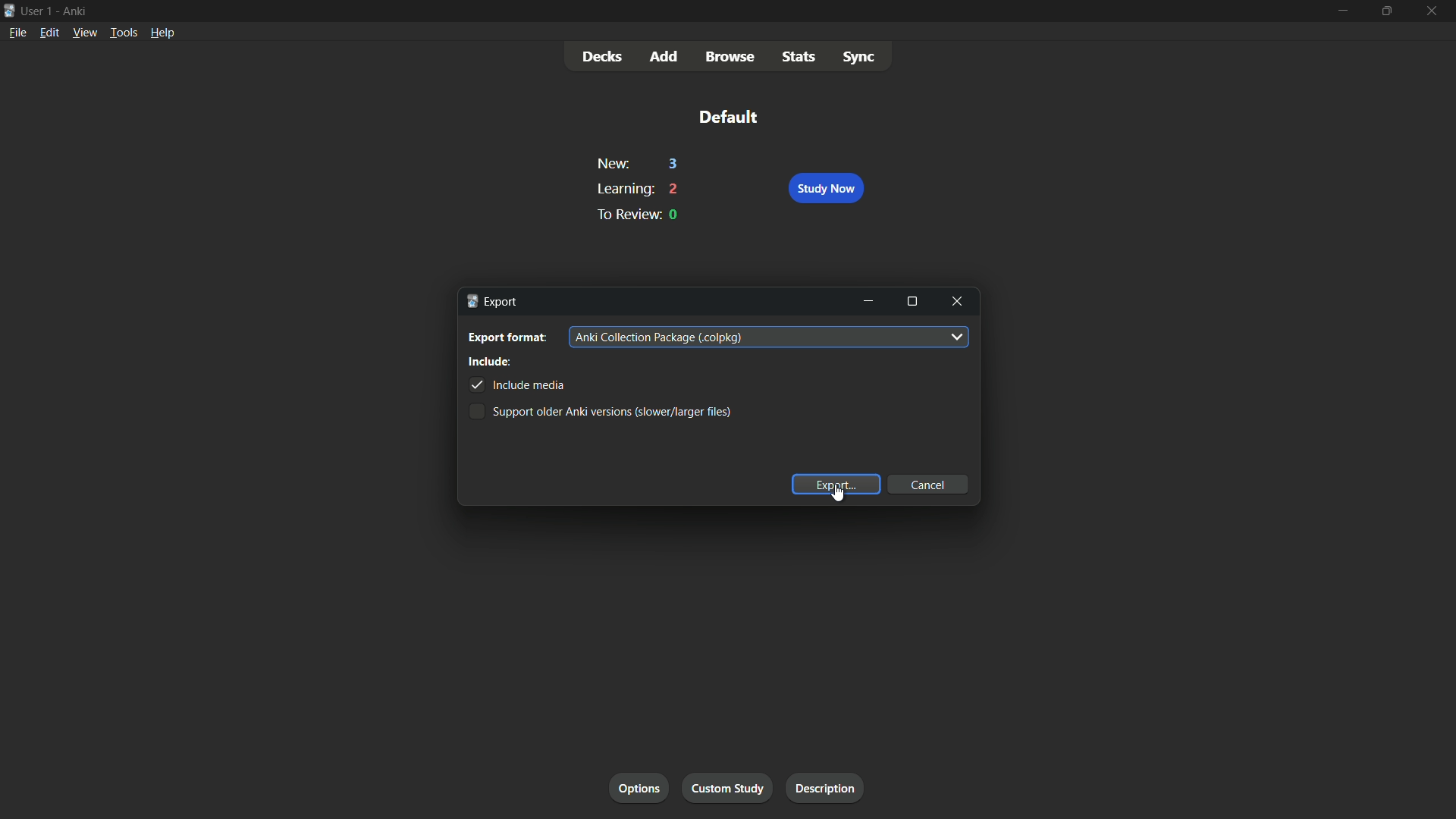 This screenshot has width=1456, height=819. What do you see at coordinates (665, 58) in the screenshot?
I see `add` at bounding box center [665, 58].